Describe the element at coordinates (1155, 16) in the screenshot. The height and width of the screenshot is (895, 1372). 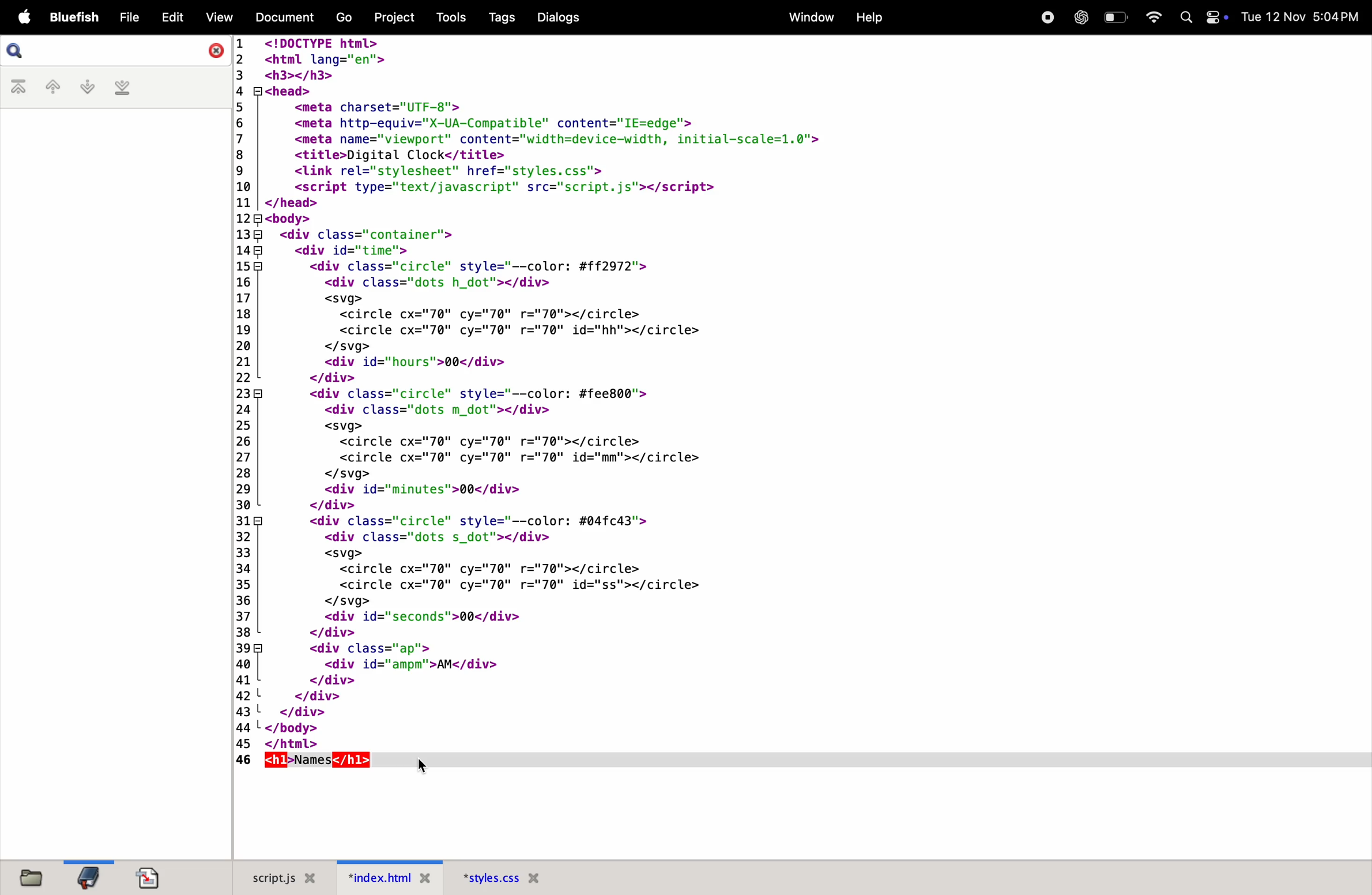
I see `wifi` at that location.